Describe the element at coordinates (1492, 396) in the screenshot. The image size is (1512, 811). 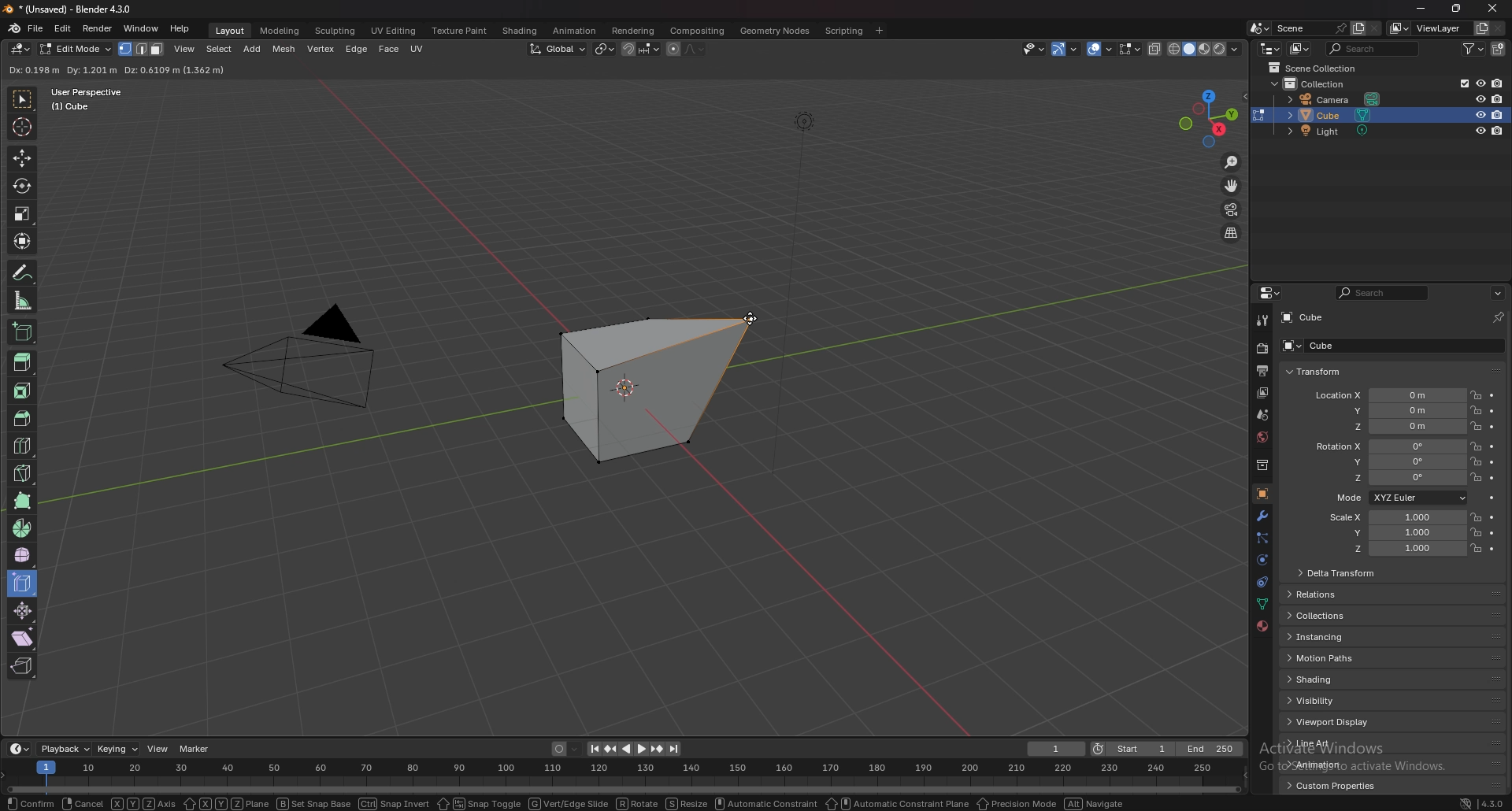
I see `animate property` at that location.